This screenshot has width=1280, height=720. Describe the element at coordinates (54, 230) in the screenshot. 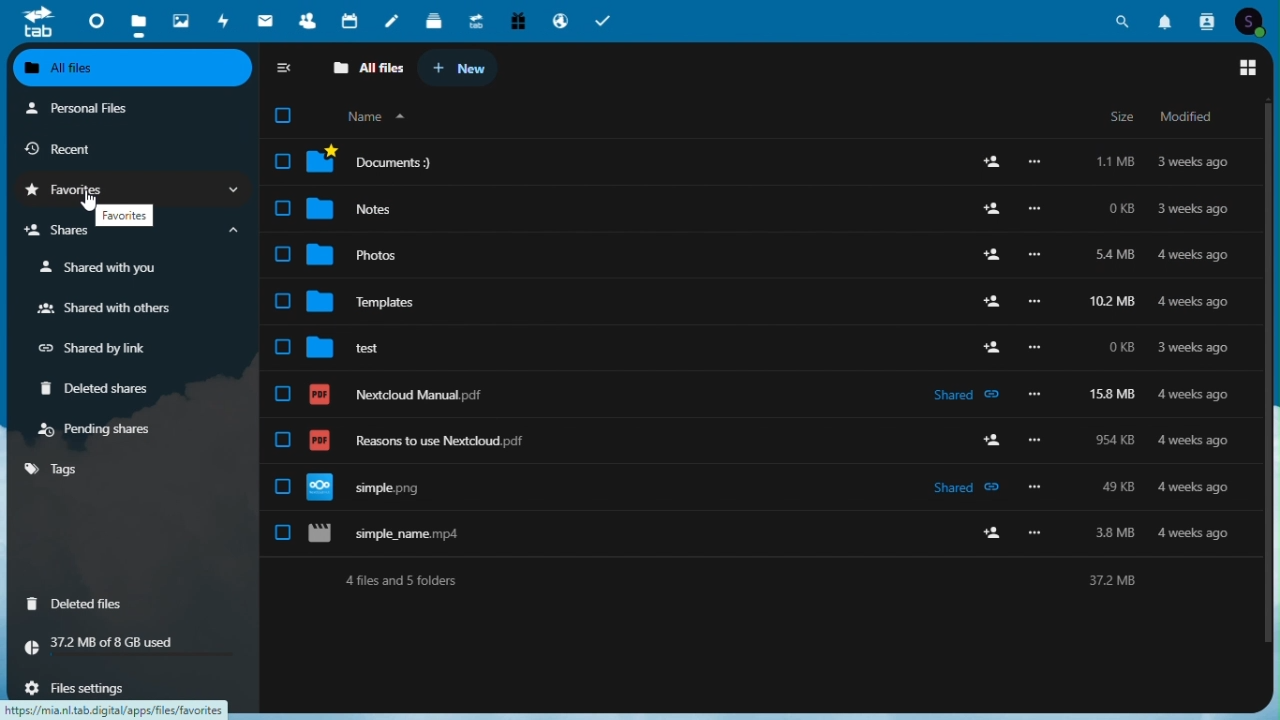

I see `shares` at that location.